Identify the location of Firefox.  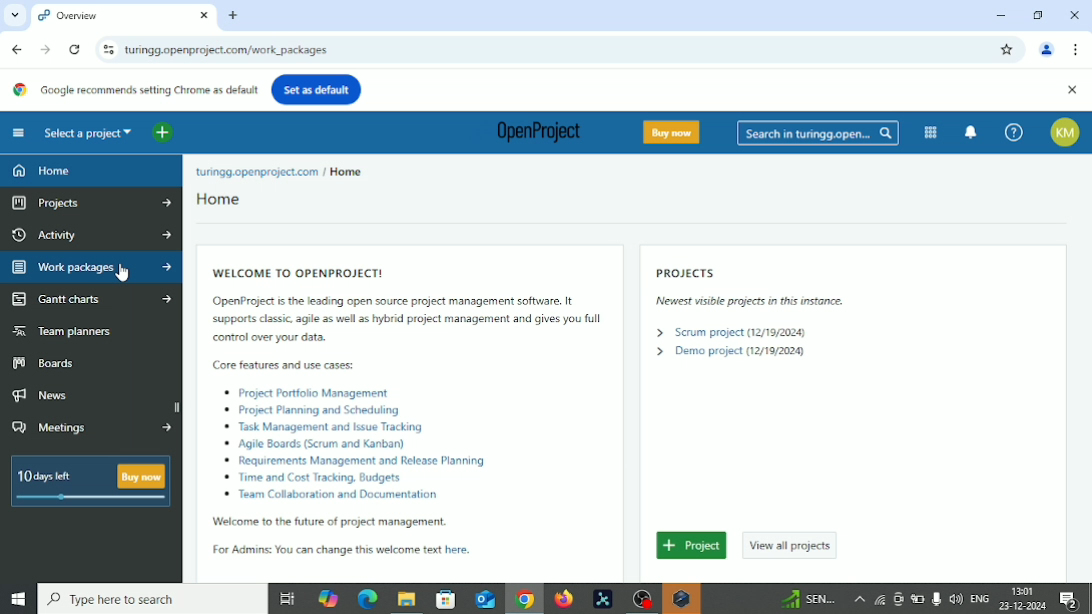
(563, 599).